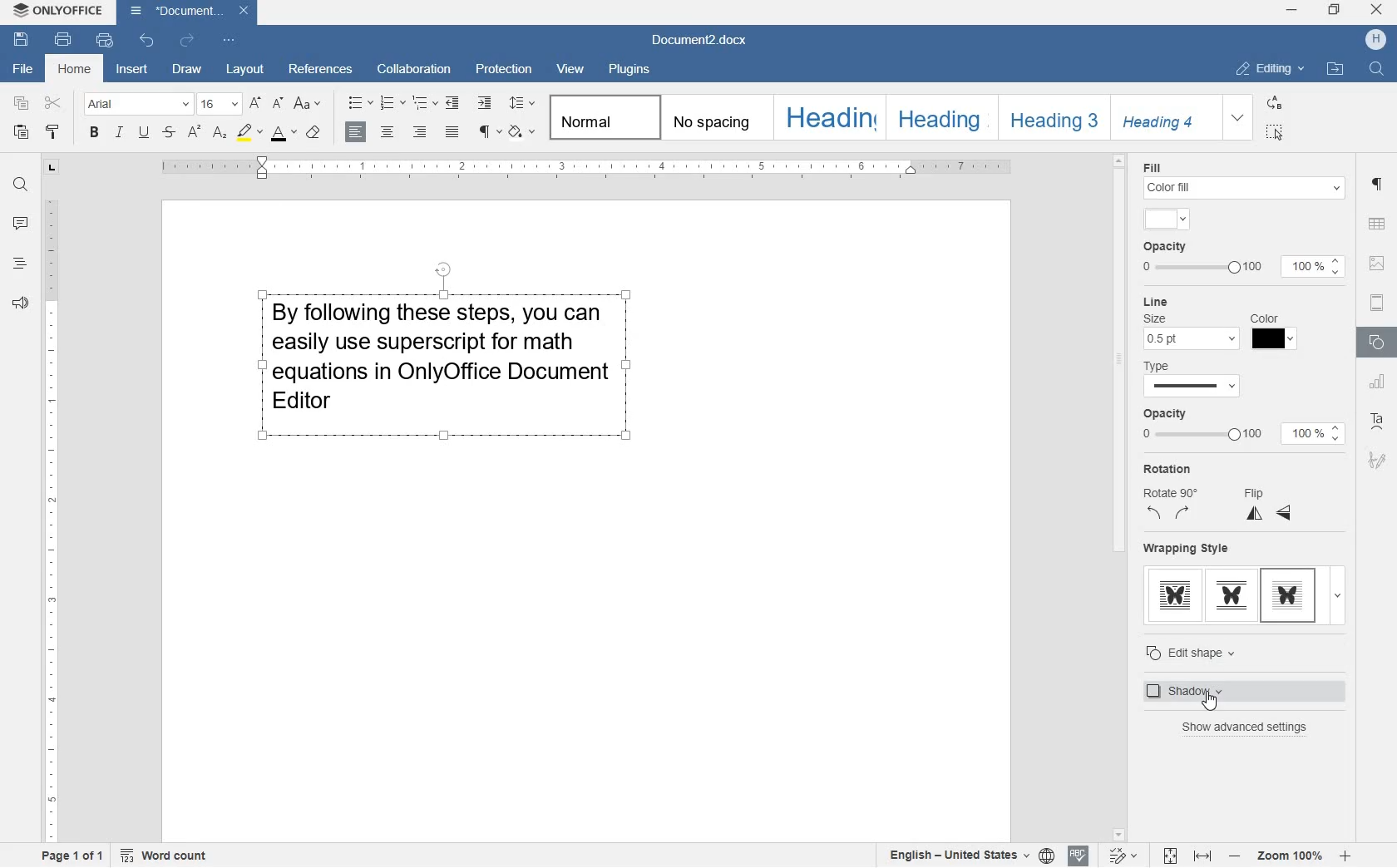  What do you see at coordinates (629, 72) in the screenshot?
I see `plugins` at bounding box center [629, 72].